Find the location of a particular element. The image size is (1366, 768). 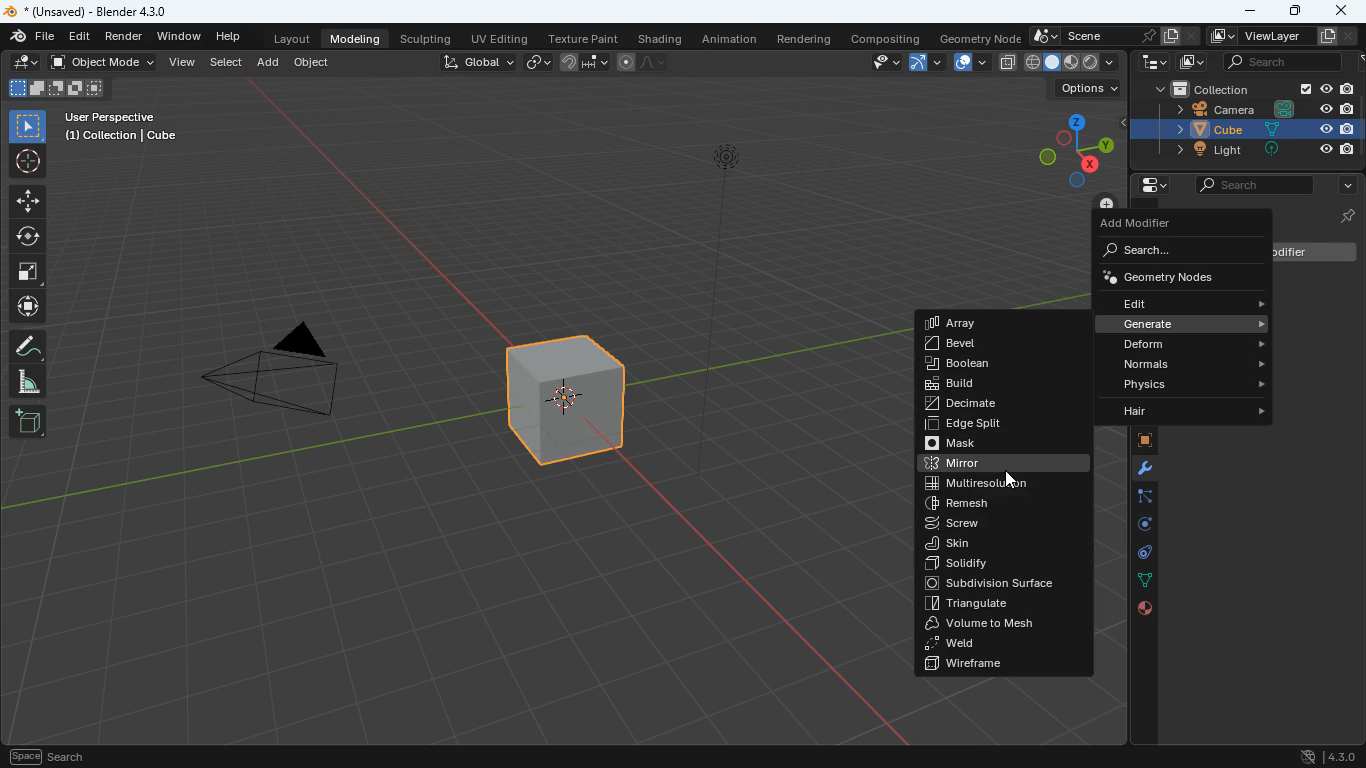

light is located at coordinates (1245, 151).